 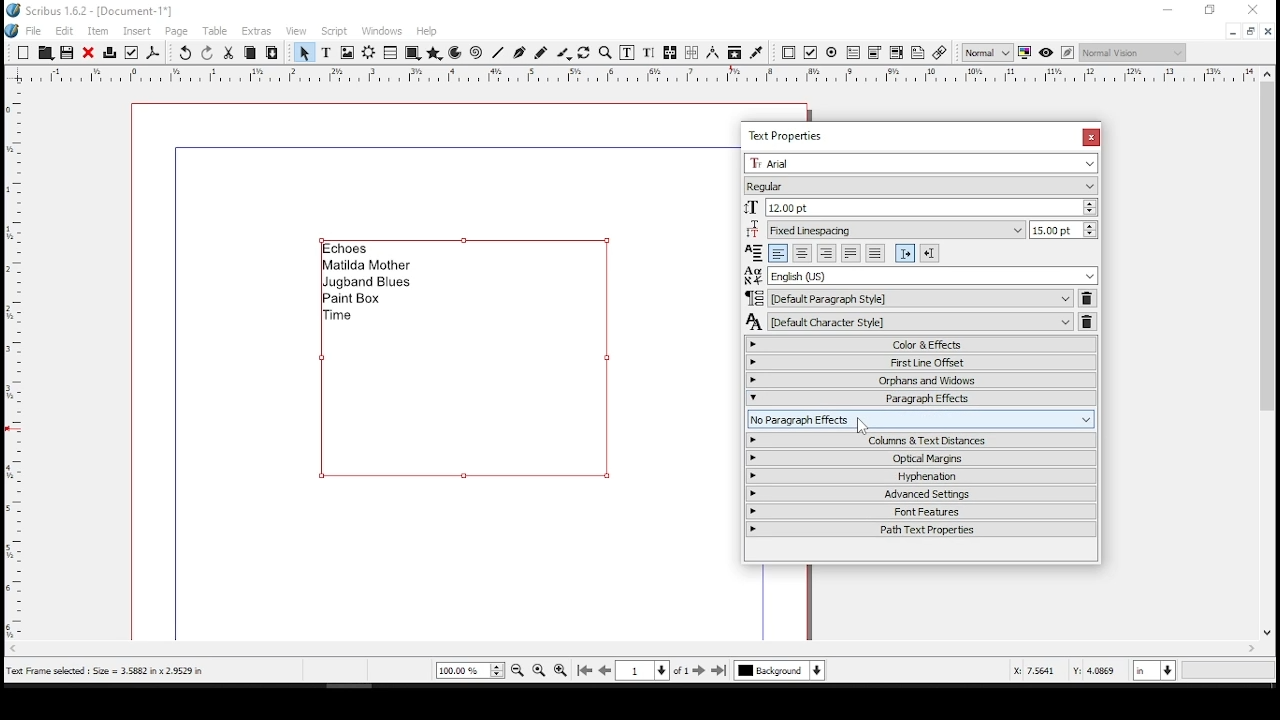 I want to click on first page, so click(x=587, y=671).